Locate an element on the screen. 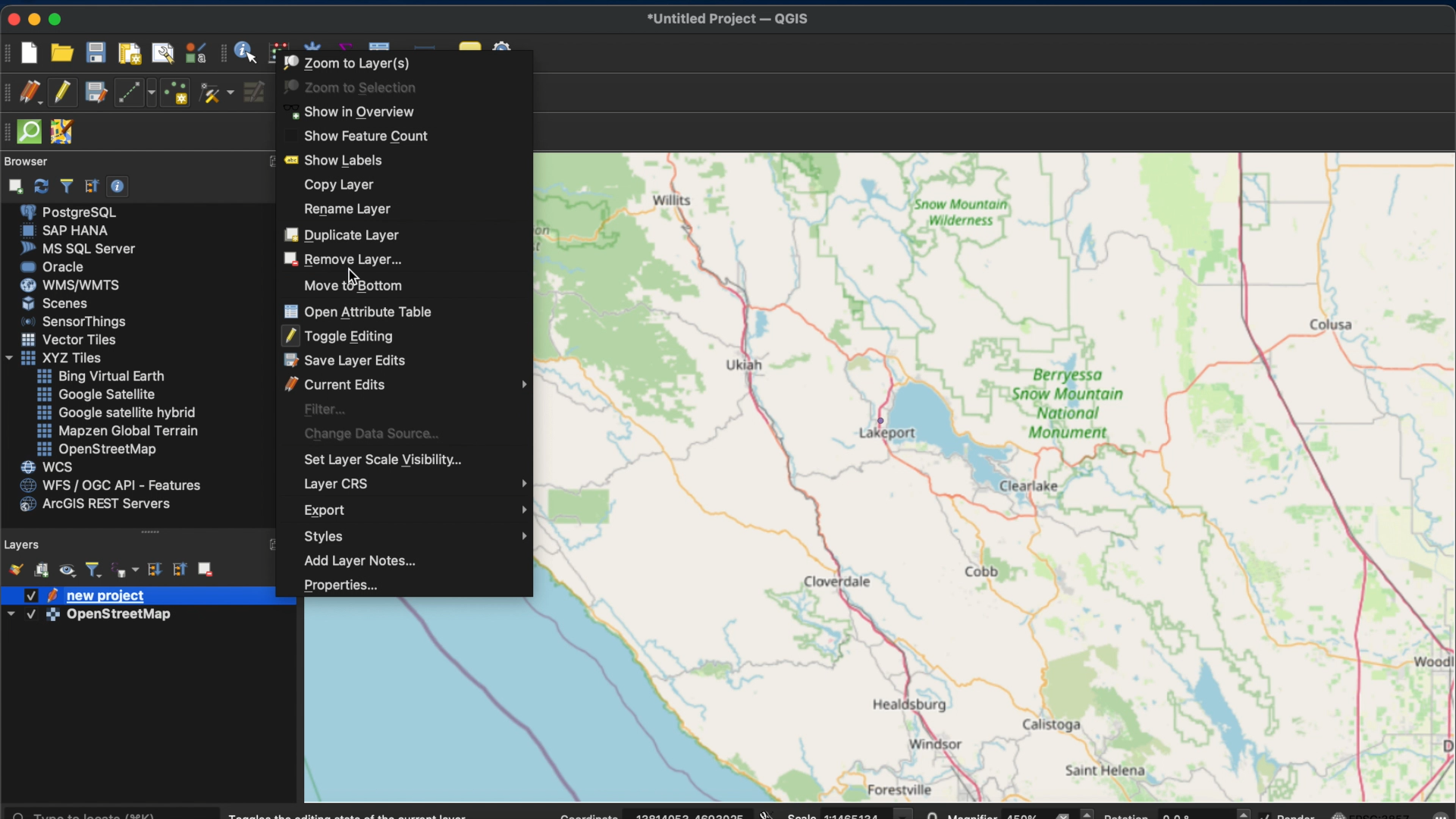 Image resolution: width=1456 pixels, height=819 pixels. vertex tool is located at coordinates (215, 95).